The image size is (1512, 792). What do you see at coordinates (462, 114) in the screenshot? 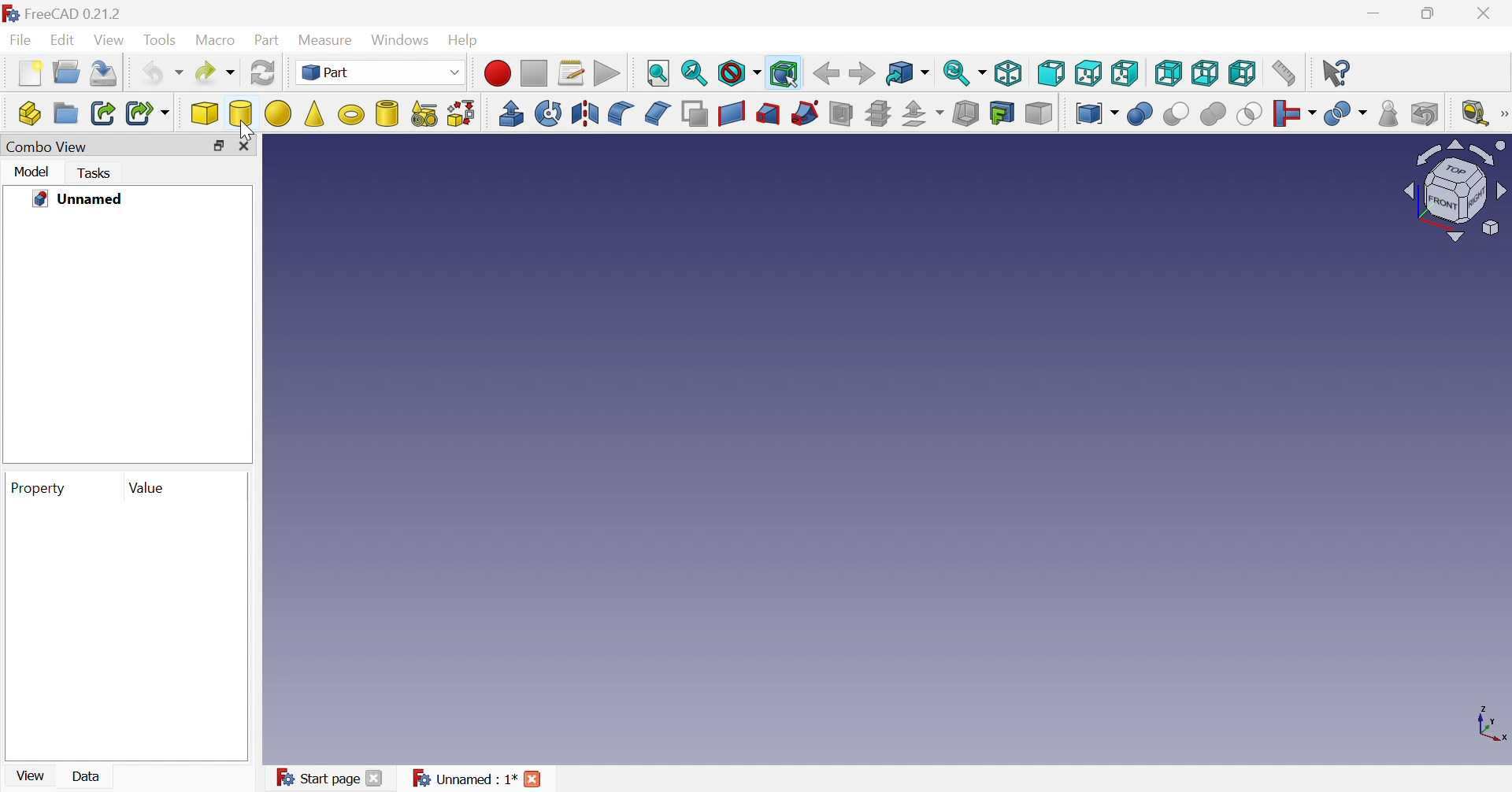
I see `Shape builder` at bounding box center [462, 114].